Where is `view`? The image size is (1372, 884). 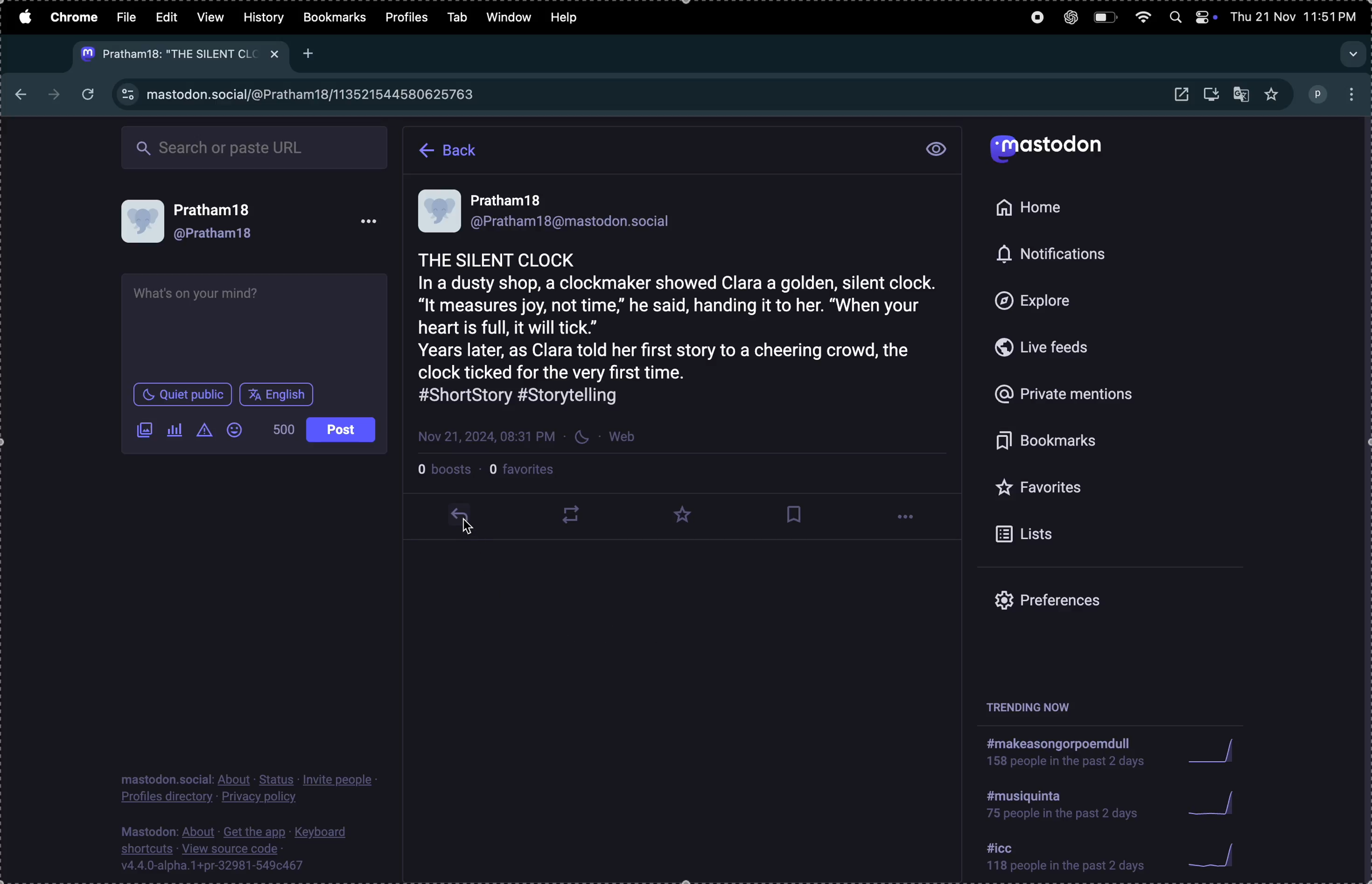
view is located at coordinates (209, 15).